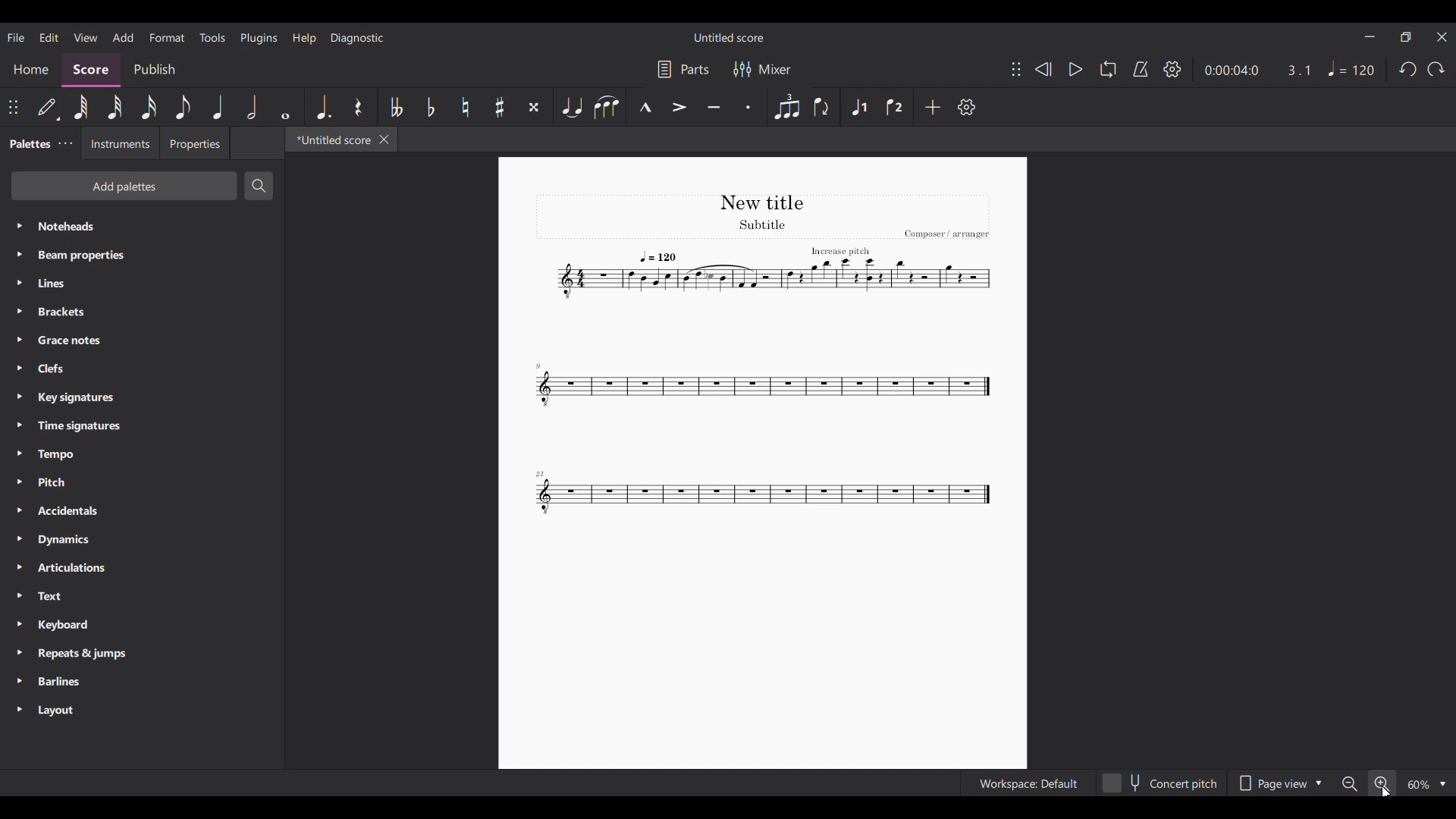  Describe the element at coordinates (1406, 37) in the screenshot. I see `Show in smaller tab` at that location.